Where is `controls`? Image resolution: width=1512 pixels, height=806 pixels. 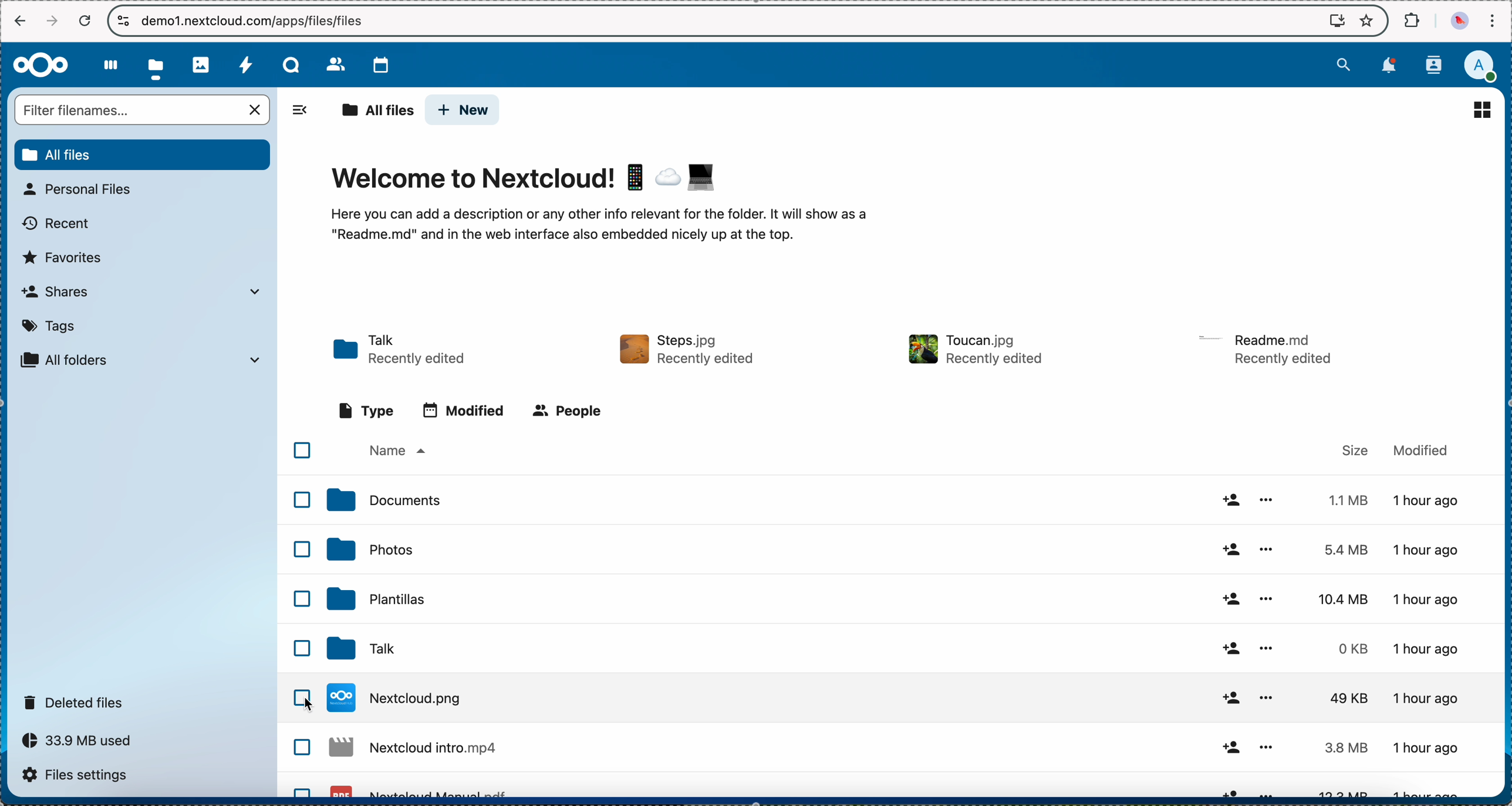
controls is located at coordinates (124, 21).